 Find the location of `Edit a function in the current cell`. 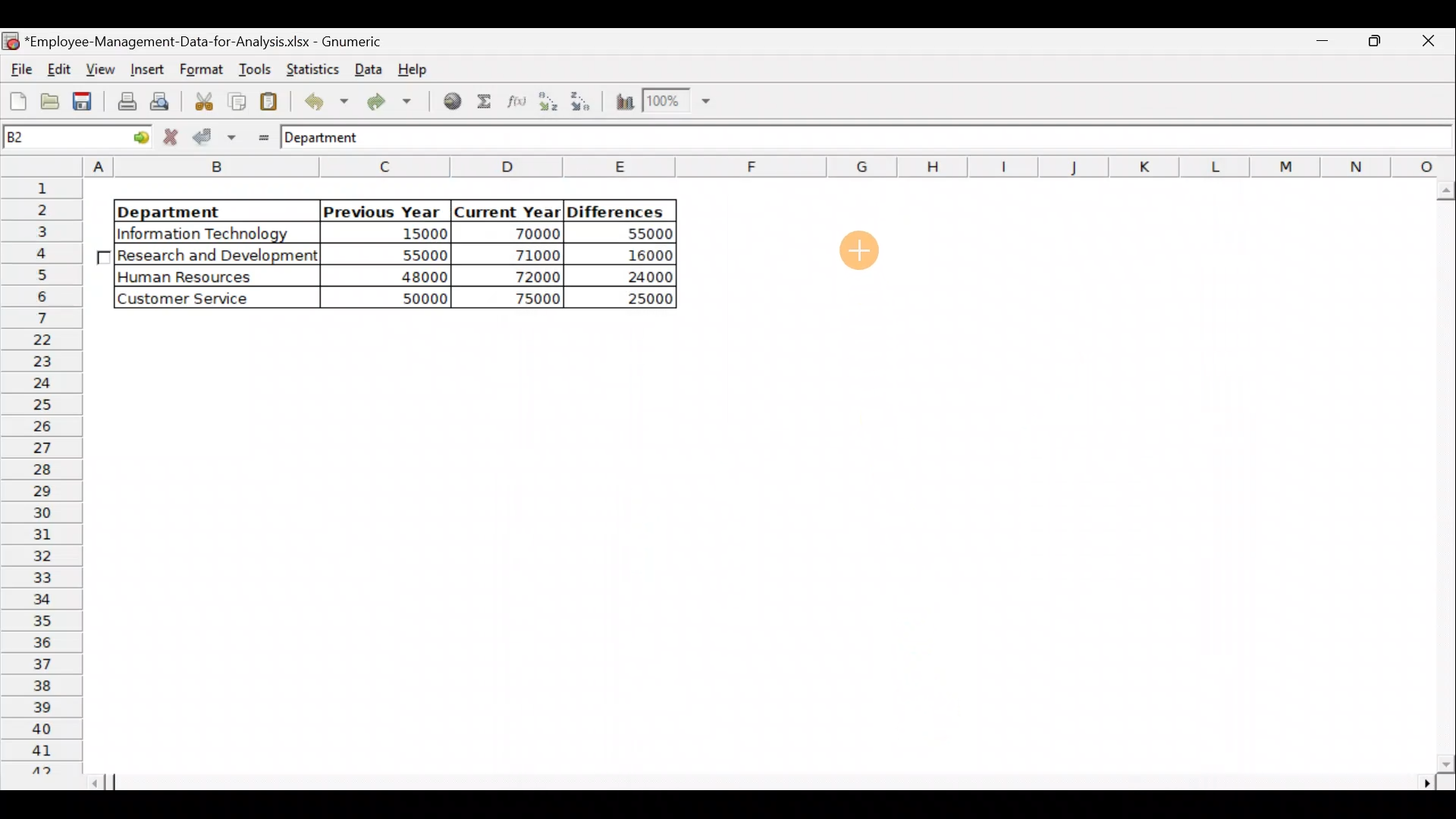

Edit a function in the current cell is located at coordinates (516, 101).